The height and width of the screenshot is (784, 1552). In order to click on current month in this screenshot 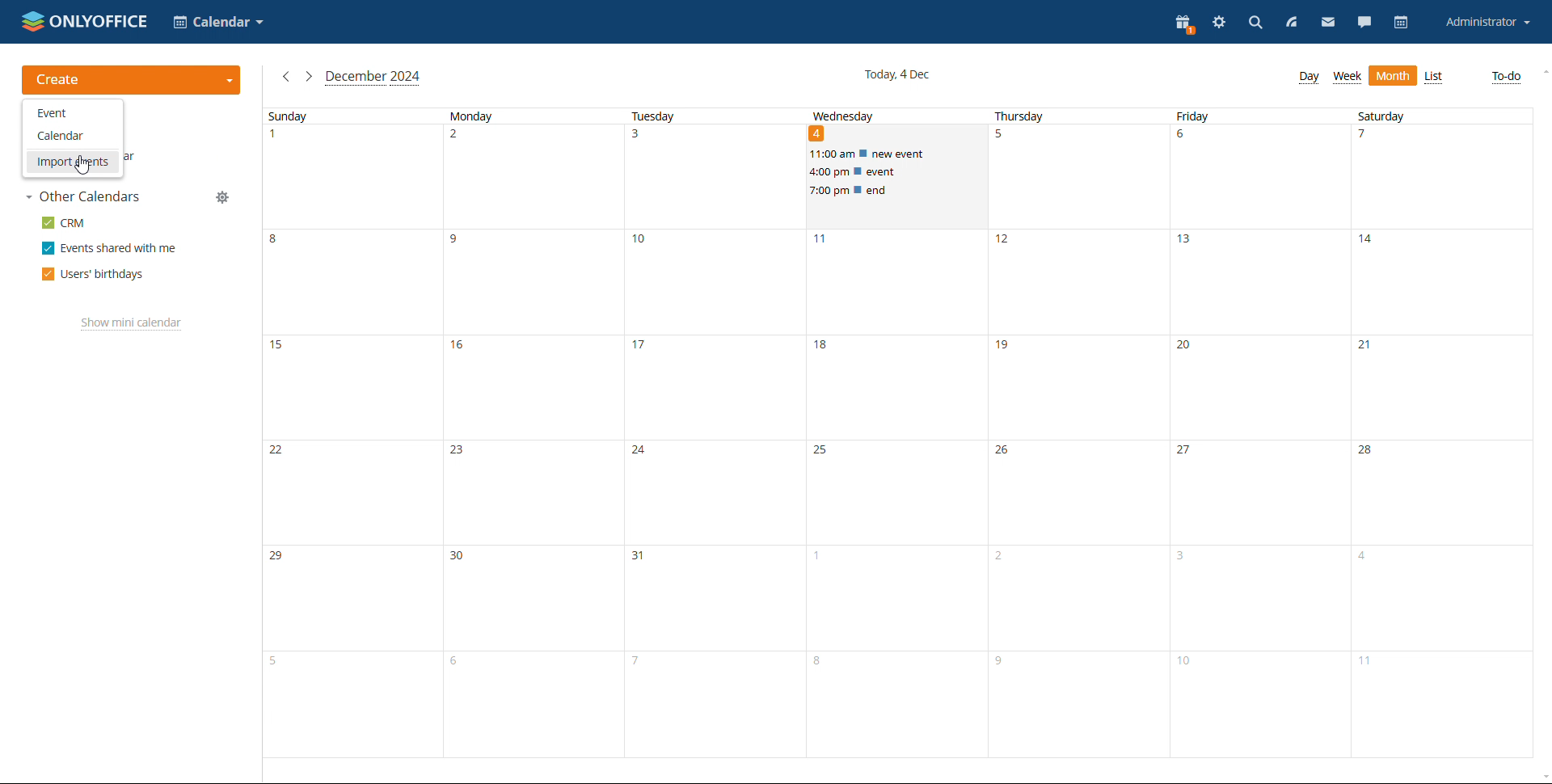, I will do `click(373, 78)`.